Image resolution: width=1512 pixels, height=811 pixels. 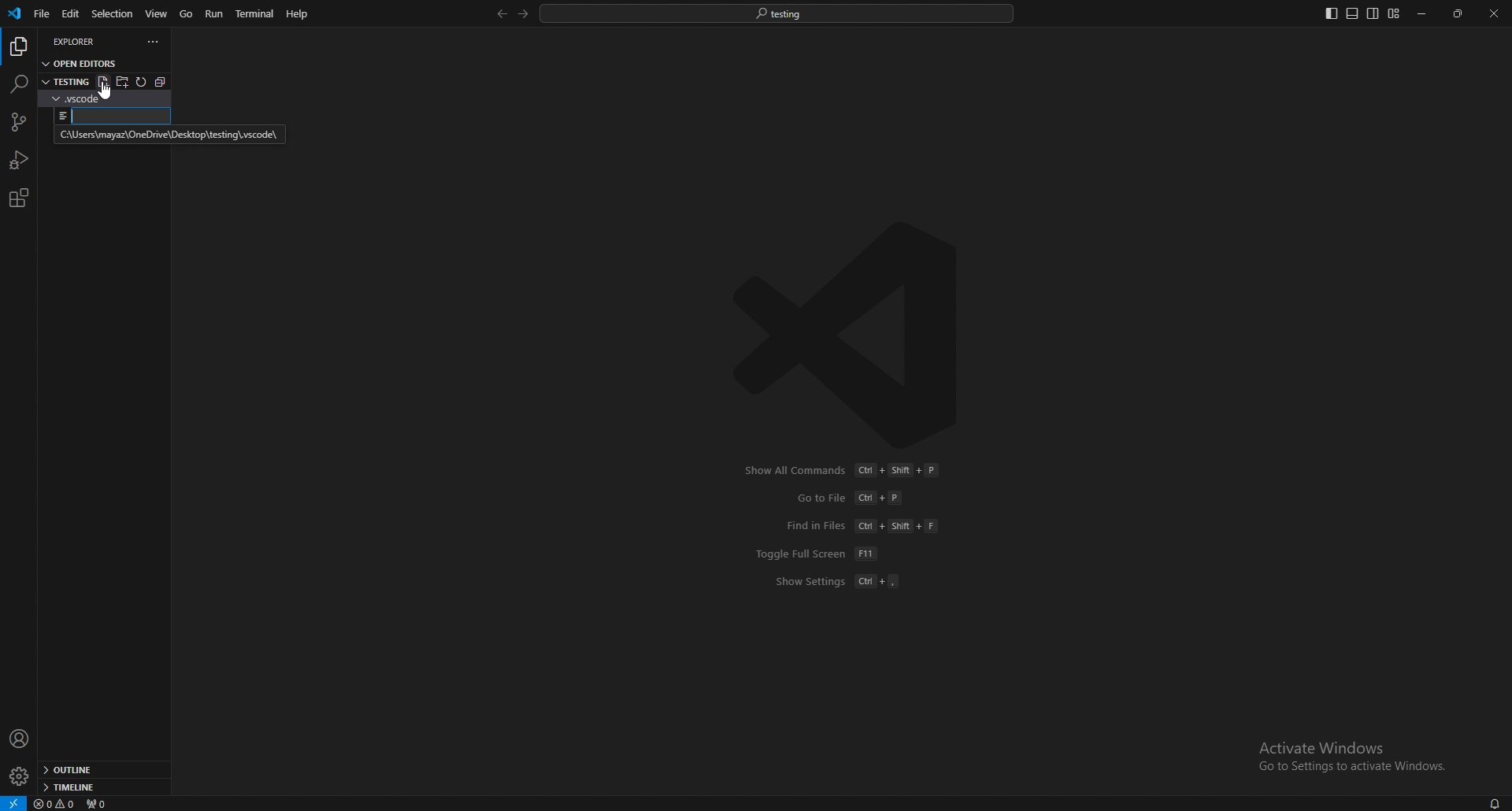 What do you see at coordinates (17, 123) in the screenshot?
I see `source code` at bounding box center [17, 123].